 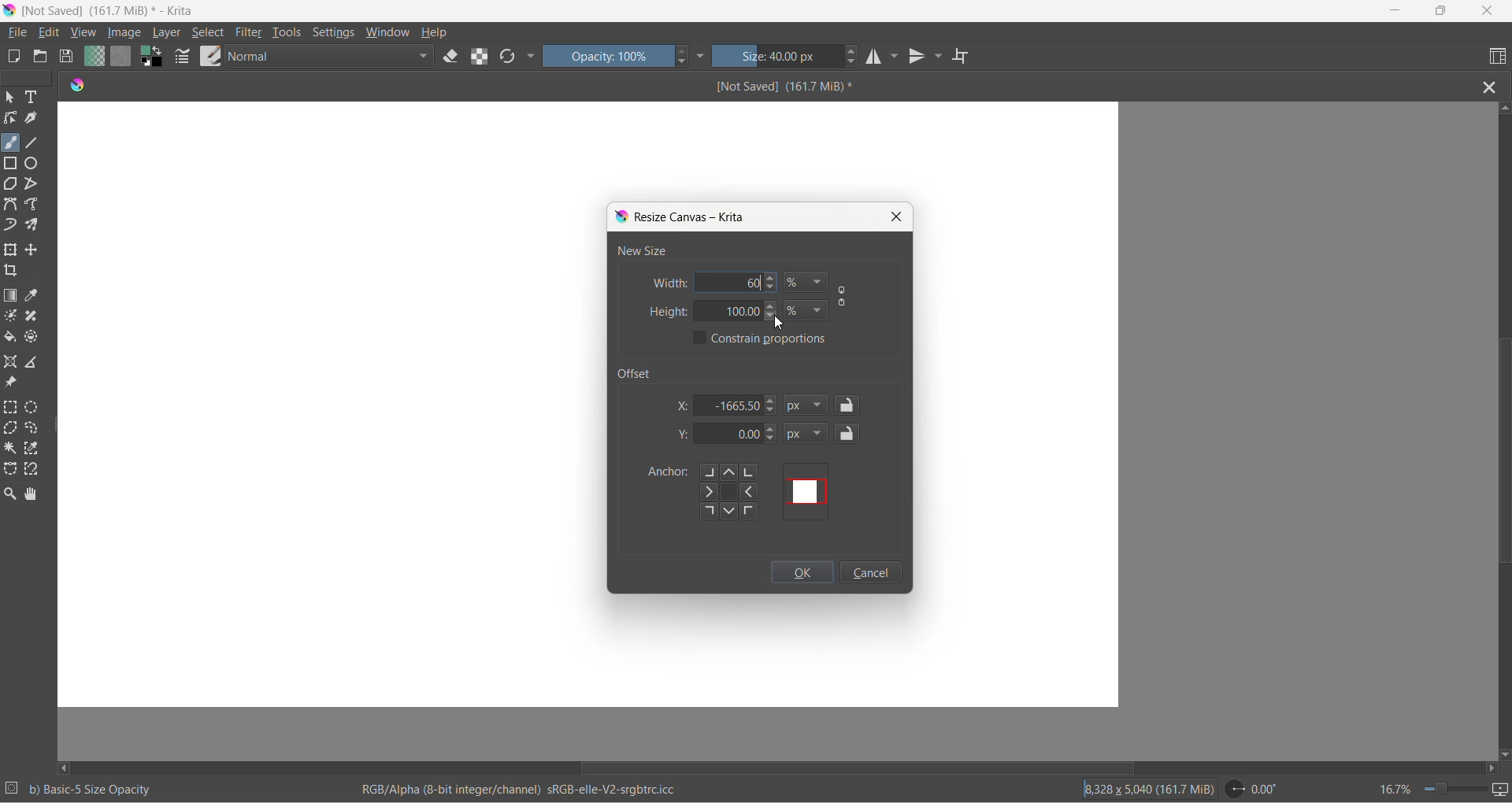 What do you see at coordinates (84, 34) in the screenshot?
I see `view` at bounding box center [84, 34].